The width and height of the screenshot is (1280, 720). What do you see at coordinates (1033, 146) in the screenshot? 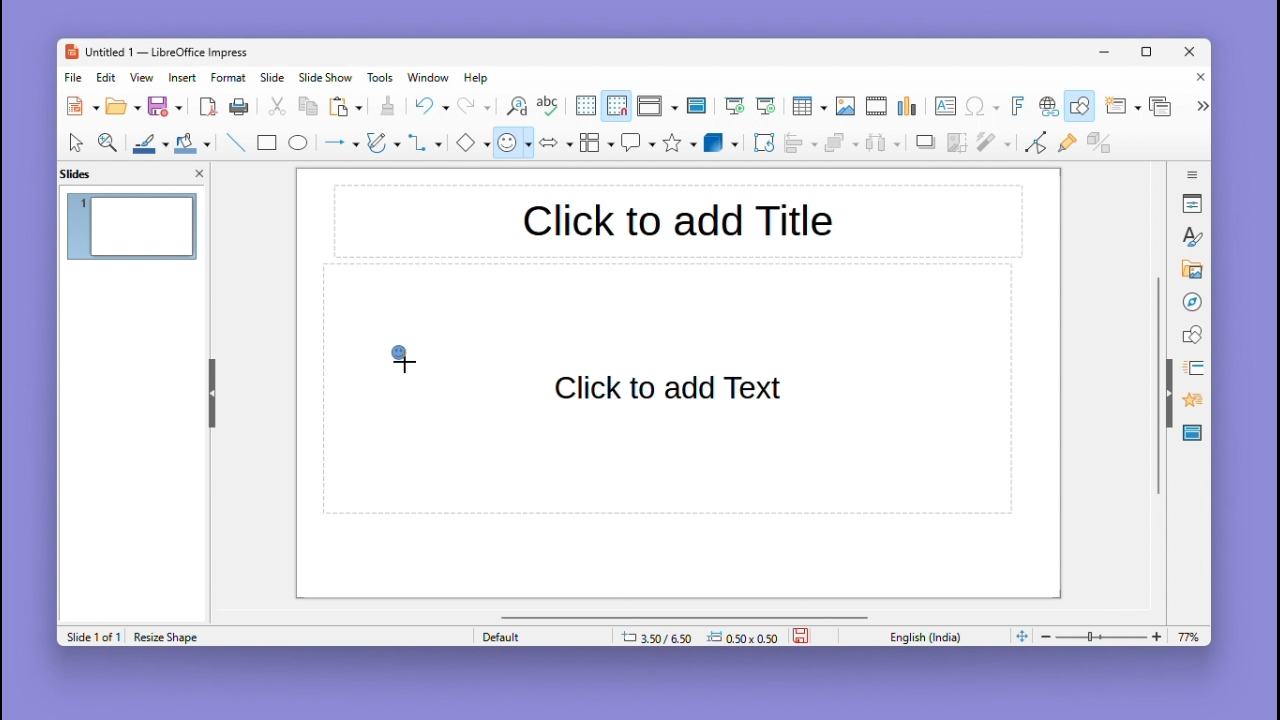
I see `Toggle point` at bounding box center [1033, 146].